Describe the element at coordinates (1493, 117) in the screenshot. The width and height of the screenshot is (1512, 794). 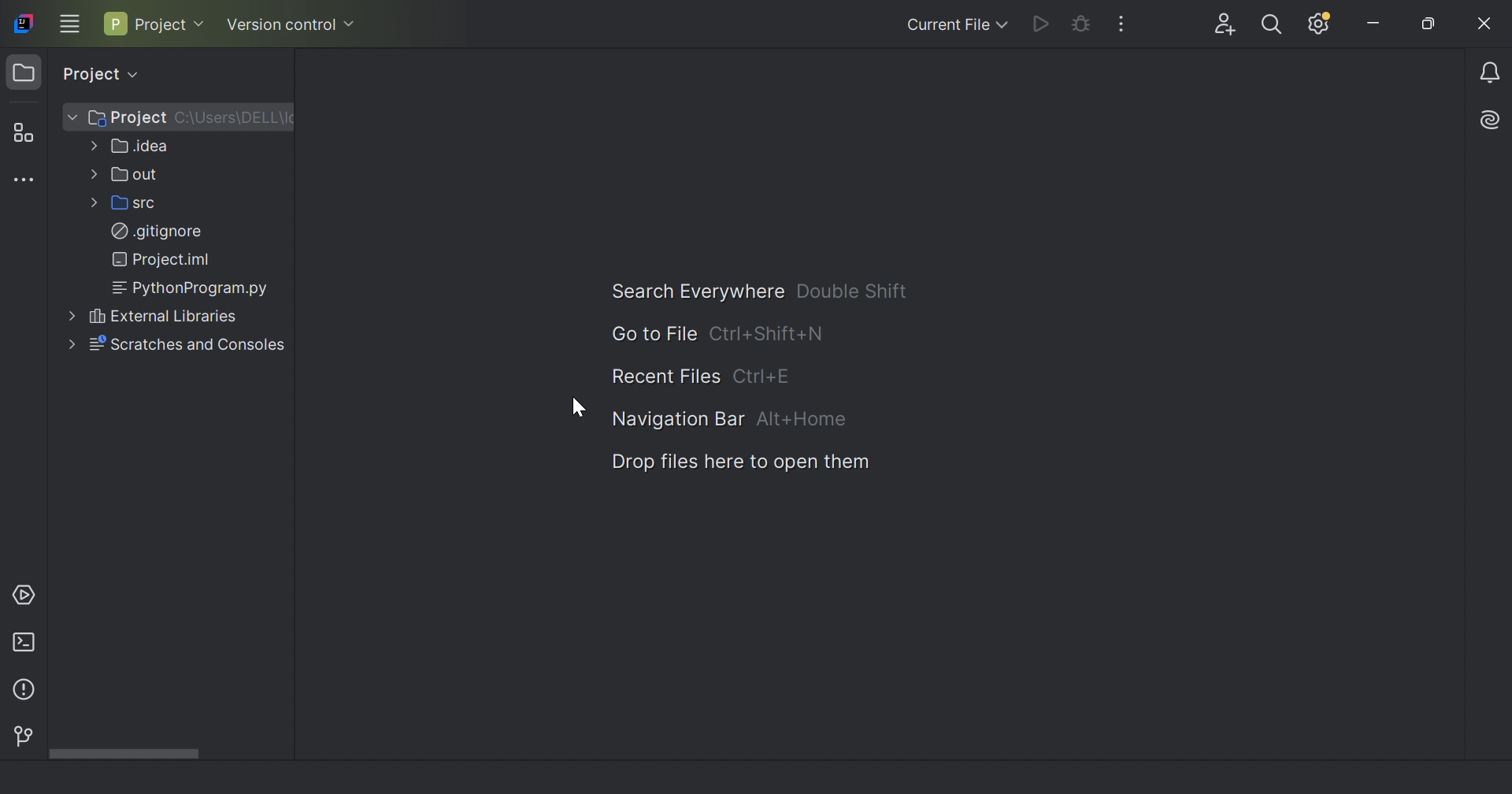
I see `AI Assistant` at that location.